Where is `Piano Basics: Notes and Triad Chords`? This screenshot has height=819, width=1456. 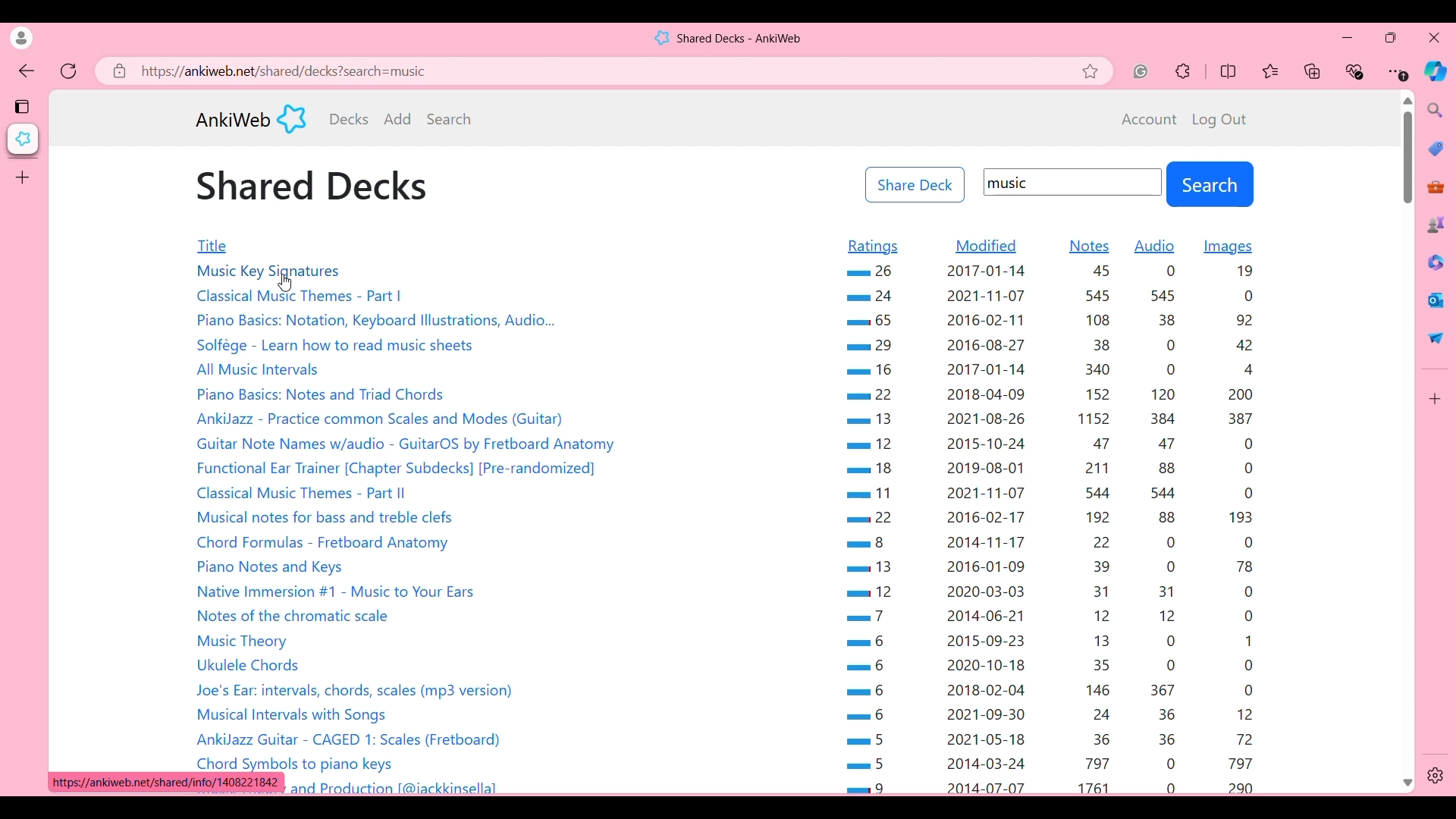
Piano Basics: Notes and Triad Chords is located at coordinates (322, 396).